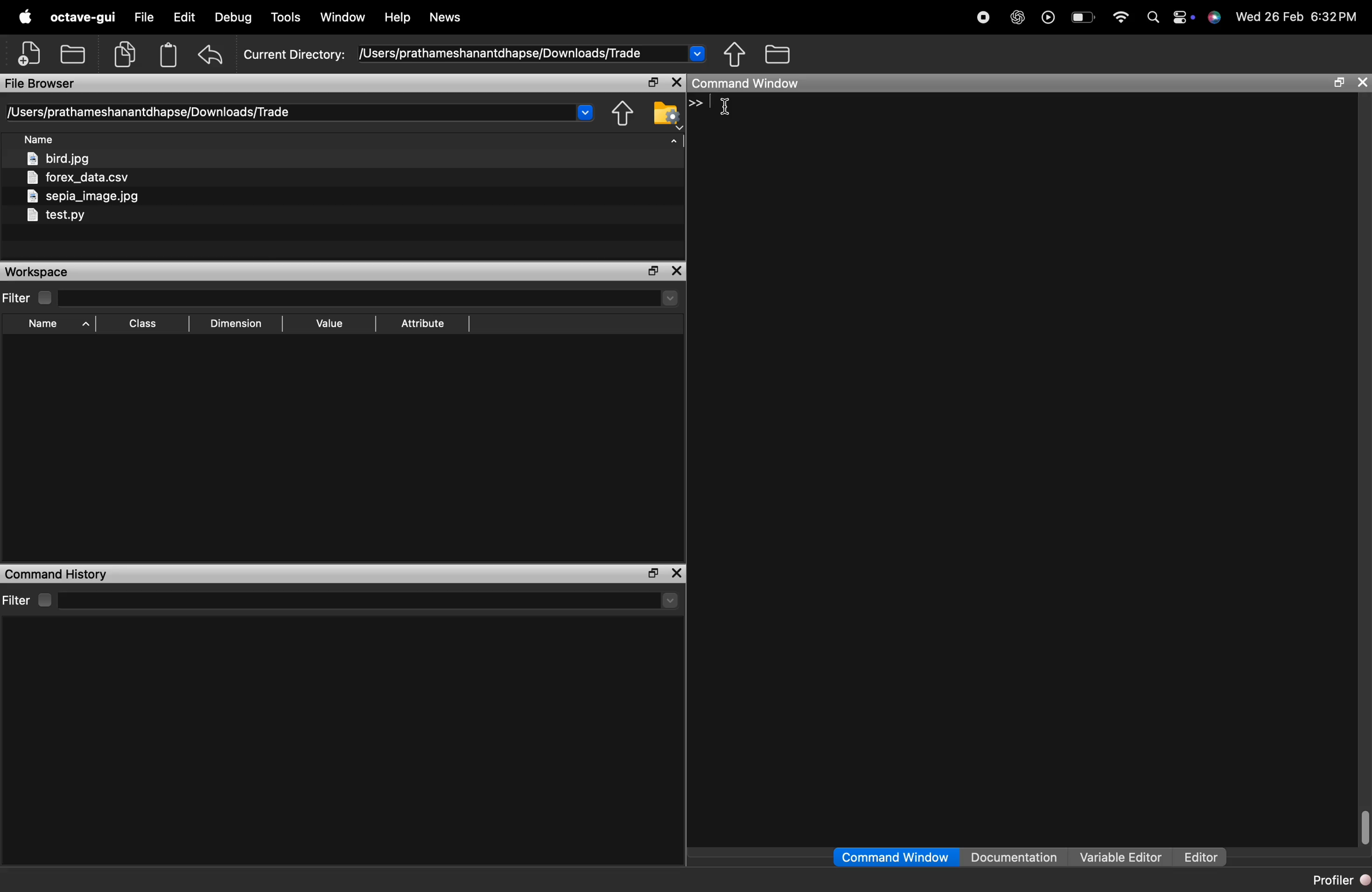  I want to click on maximize, so click(653, 270).